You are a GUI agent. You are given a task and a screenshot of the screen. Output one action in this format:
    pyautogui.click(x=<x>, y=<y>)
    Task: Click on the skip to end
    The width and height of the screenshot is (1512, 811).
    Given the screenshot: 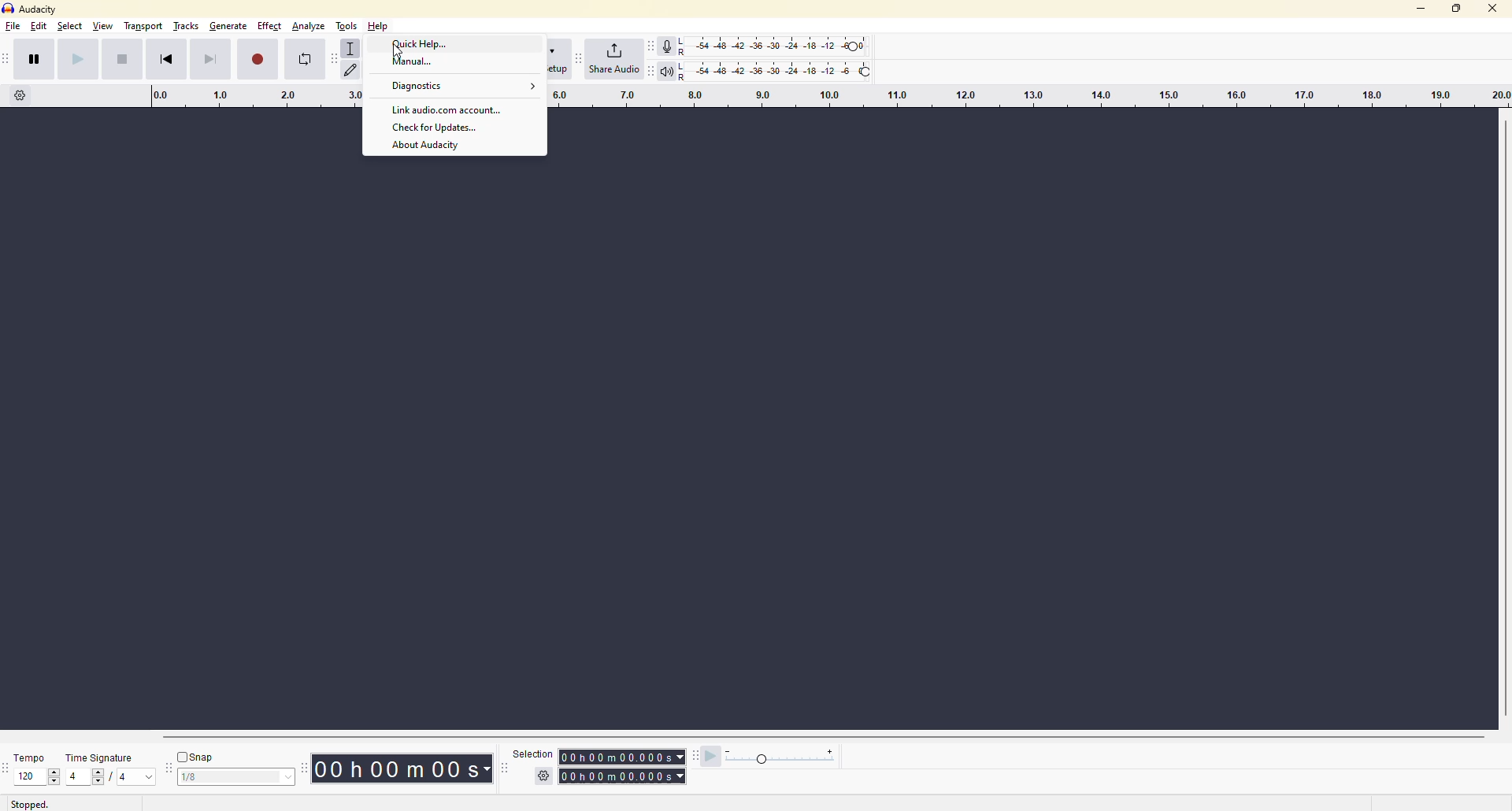 What is the action you would take?
    pyautogui.click(x=211, y=58)
    